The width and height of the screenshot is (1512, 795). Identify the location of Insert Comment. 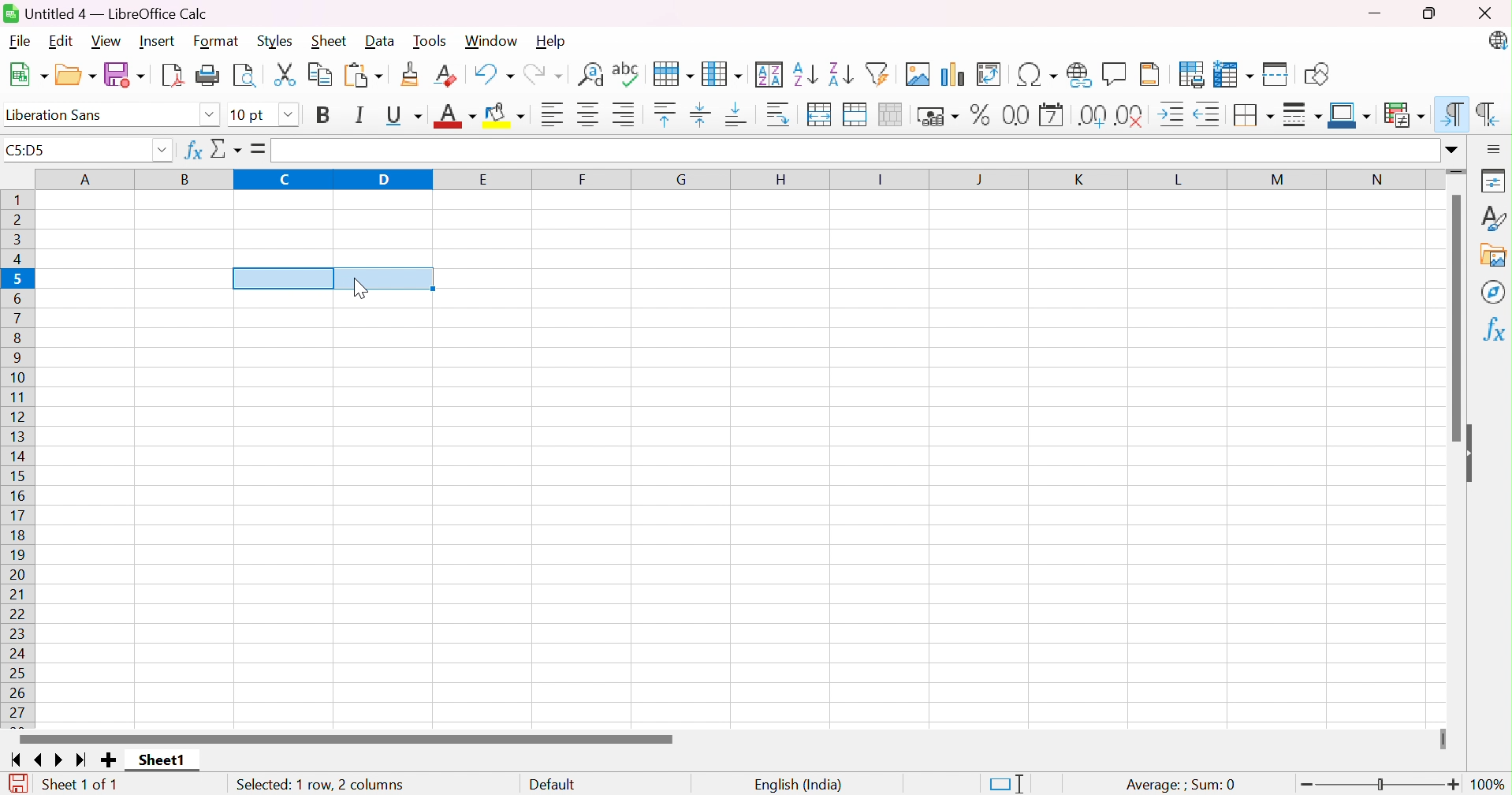
(1115, 73).